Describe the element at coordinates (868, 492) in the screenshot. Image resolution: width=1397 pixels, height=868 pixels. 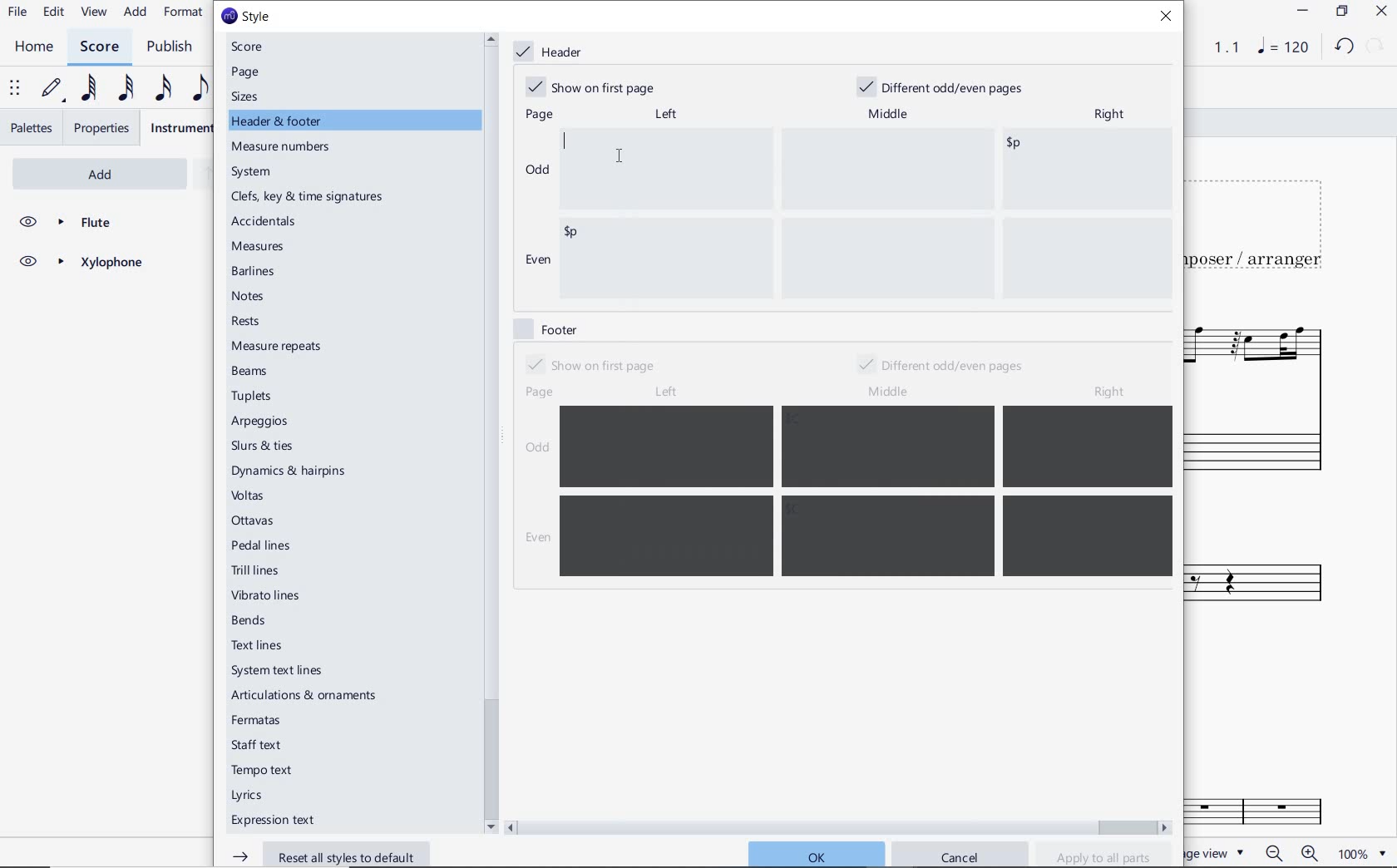
I see `enter data` at that location.